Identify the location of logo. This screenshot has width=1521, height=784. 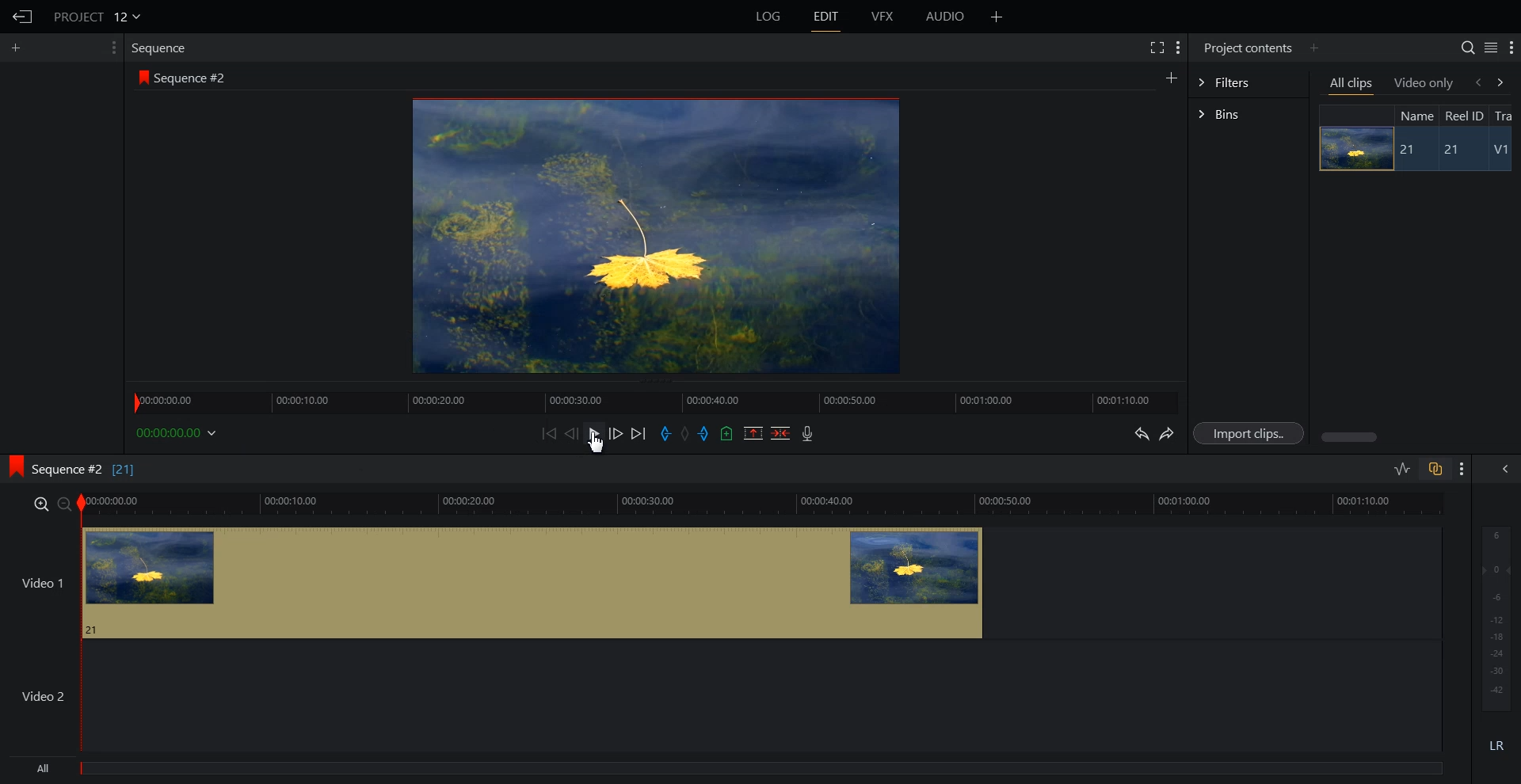
(11, 464).